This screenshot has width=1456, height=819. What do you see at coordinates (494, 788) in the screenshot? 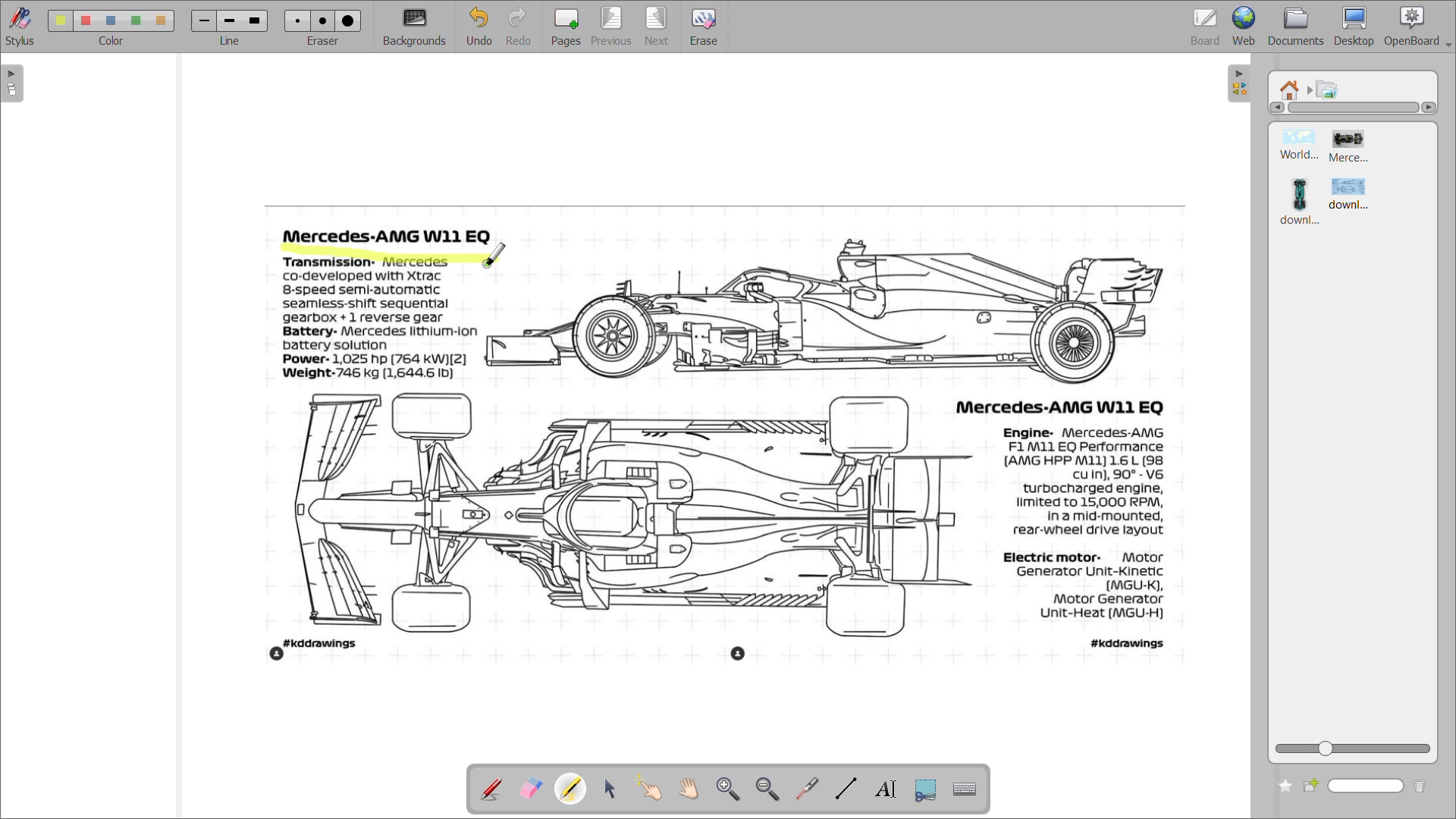
I see `annotate document` at bounding box center [494, 788].